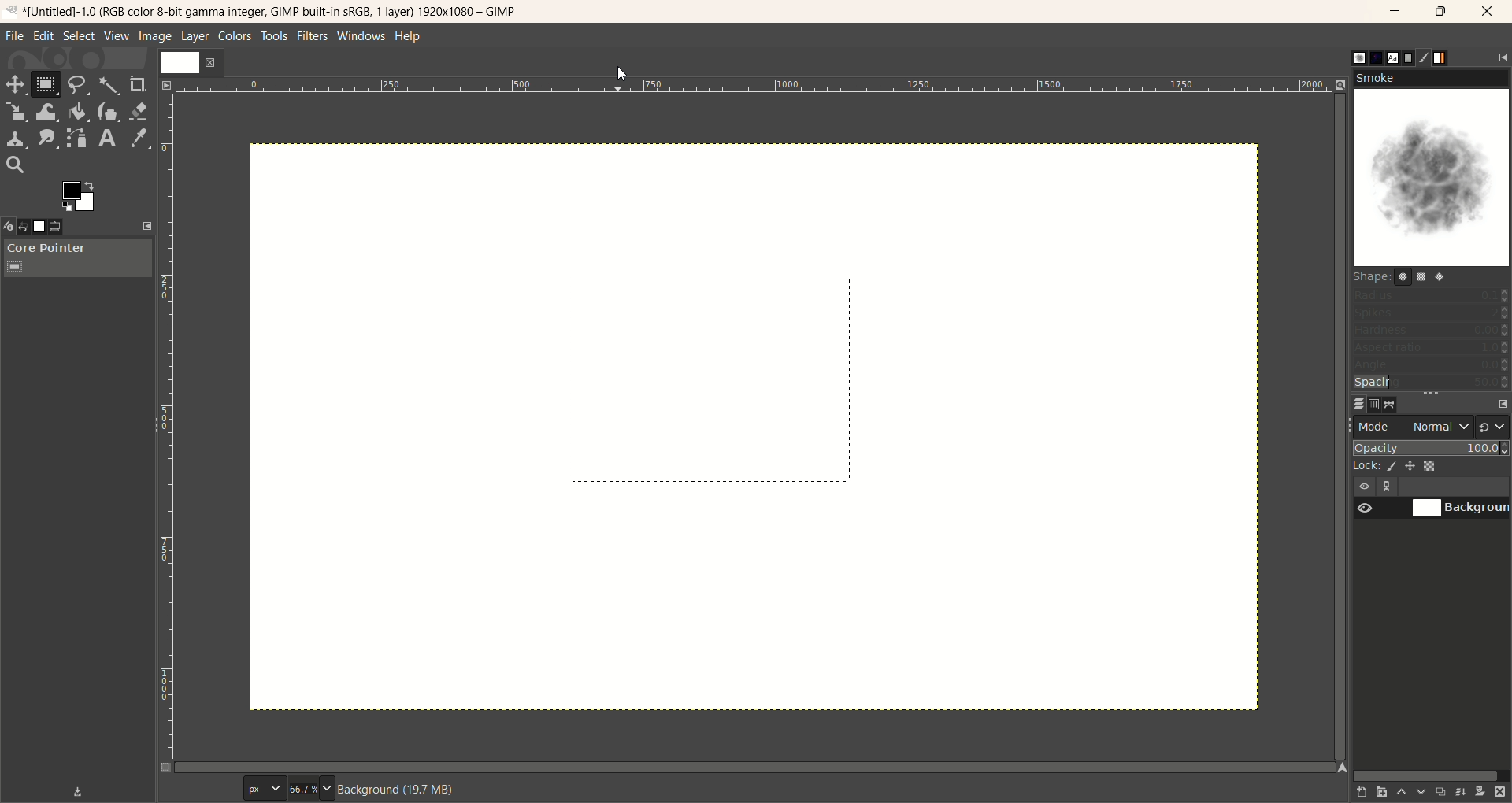 Image resolution: width=1512 pixels, height=803 pixels. What do you see at coordinates (720, 383) in the screenshot?
I see `shape` at bounding box center [720, 383].